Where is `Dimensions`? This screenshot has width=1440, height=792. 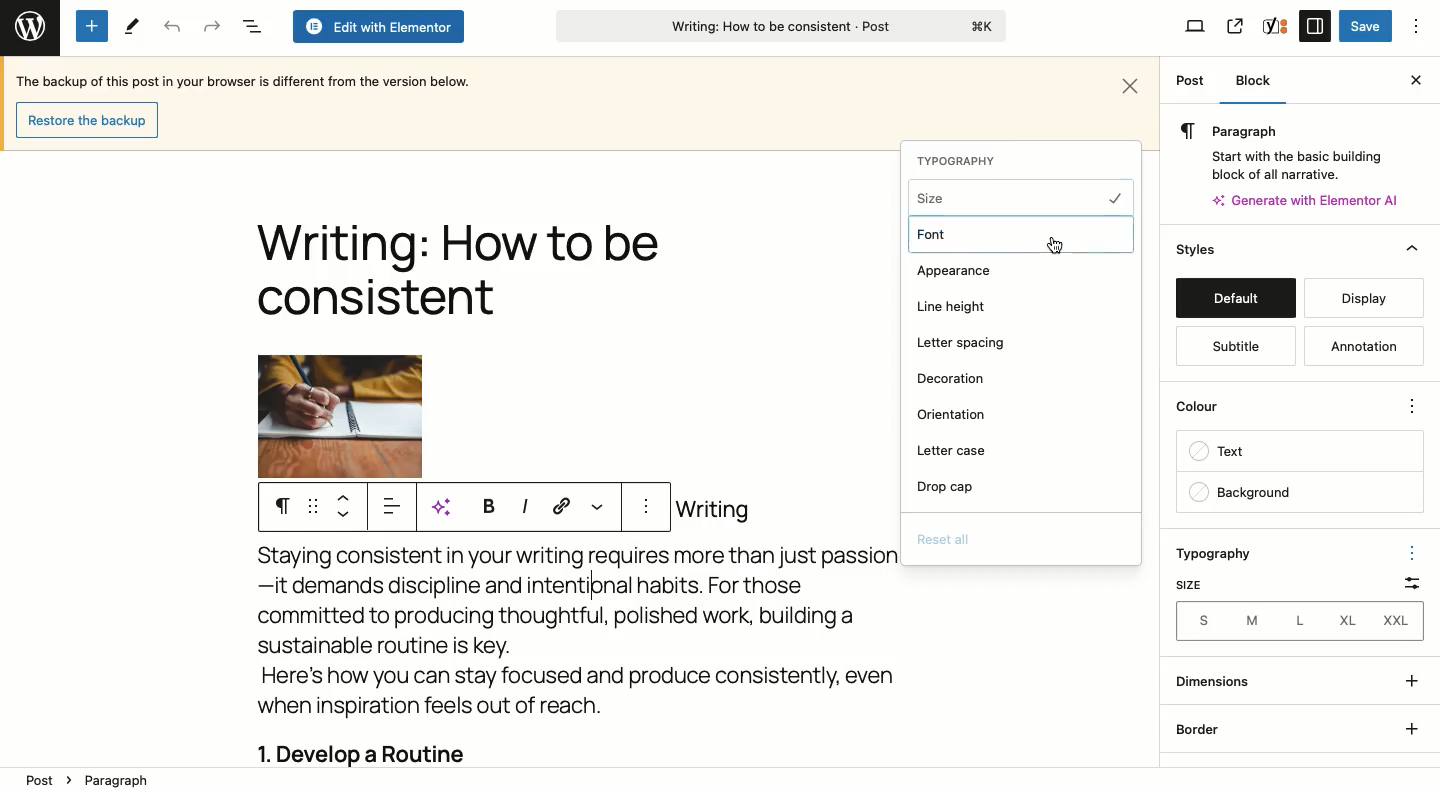 Dimensions is located at coordinates (1213, 682).